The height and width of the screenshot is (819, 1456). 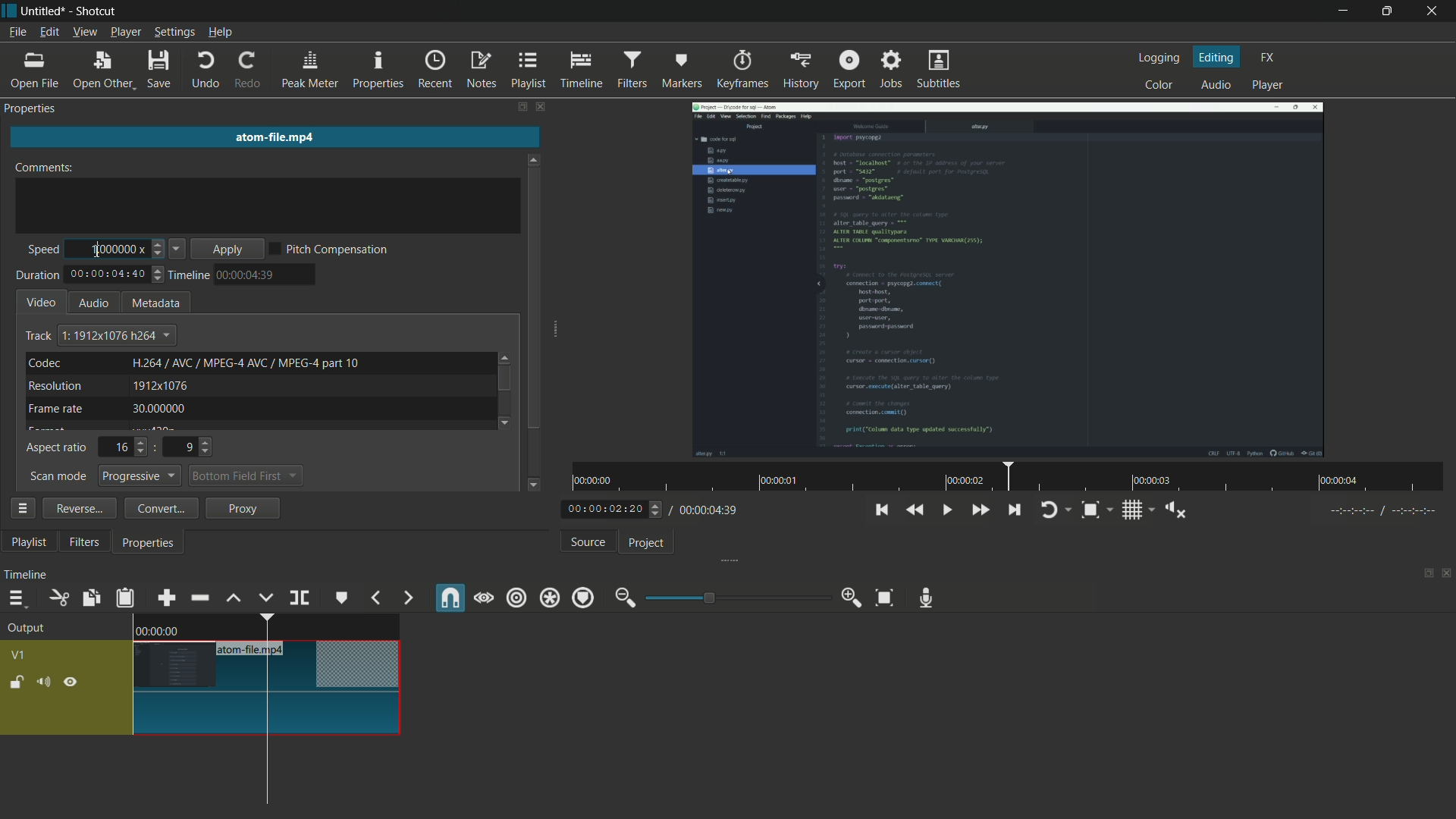 What do you see at coordinates (579, 70) in the screenshot?
I see `timeline` at bounding box center [579, 70].